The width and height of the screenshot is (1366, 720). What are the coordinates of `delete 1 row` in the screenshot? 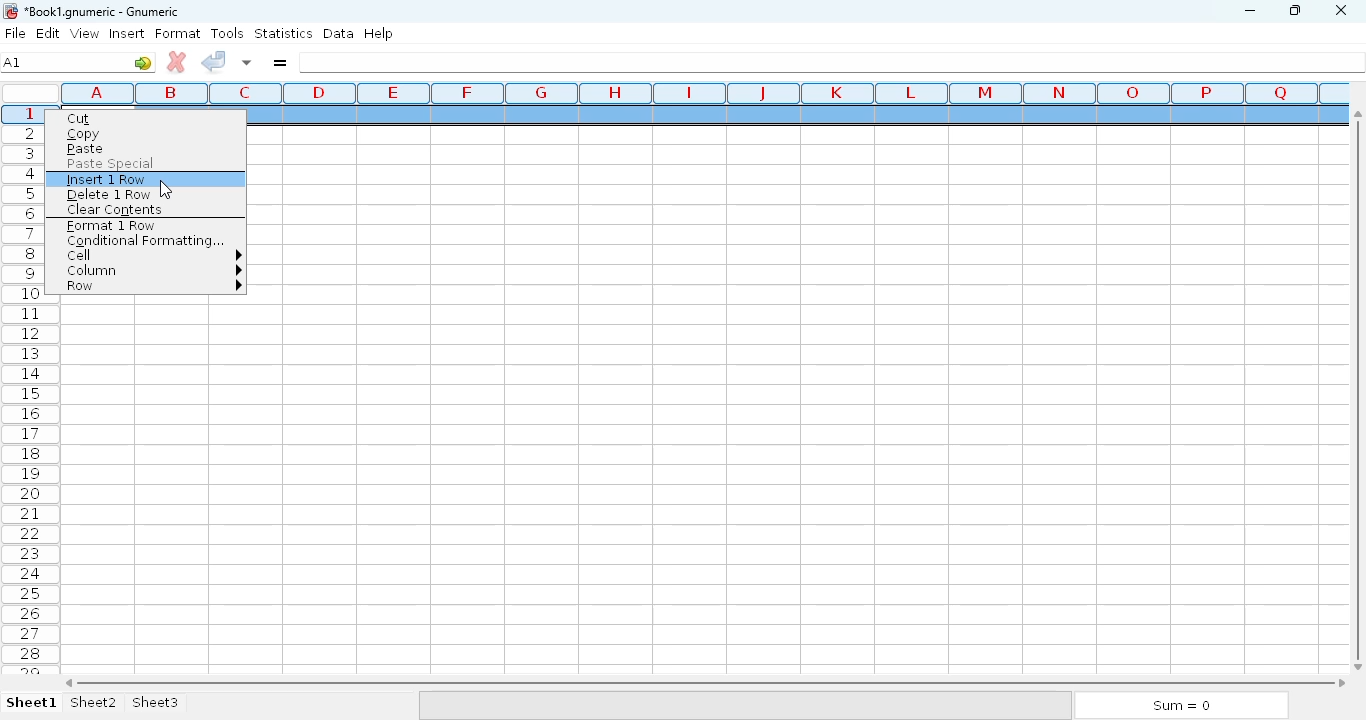 It's located at (108, 195).